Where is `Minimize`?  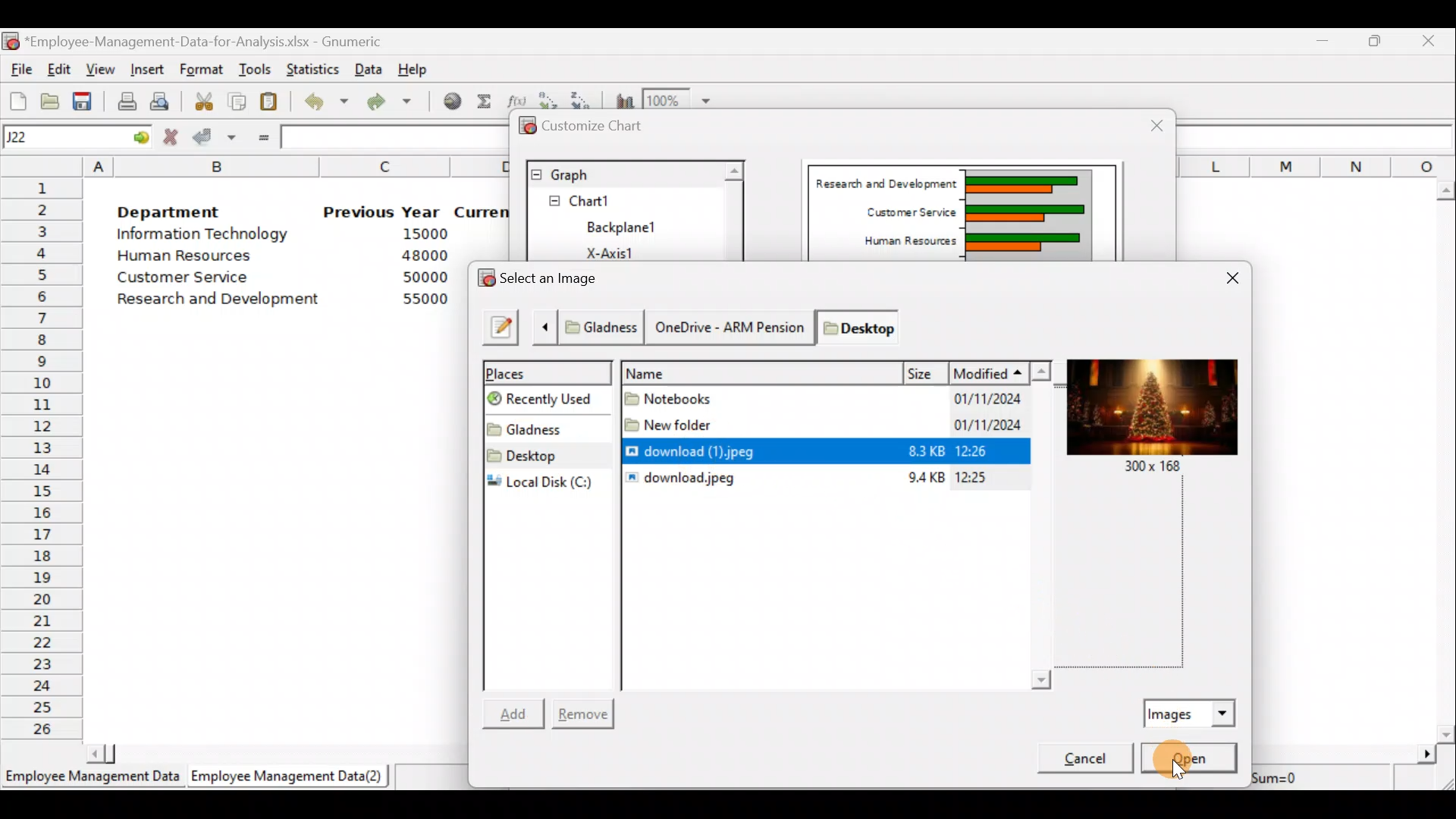
Minimize is located at coordinates (1324, 42).